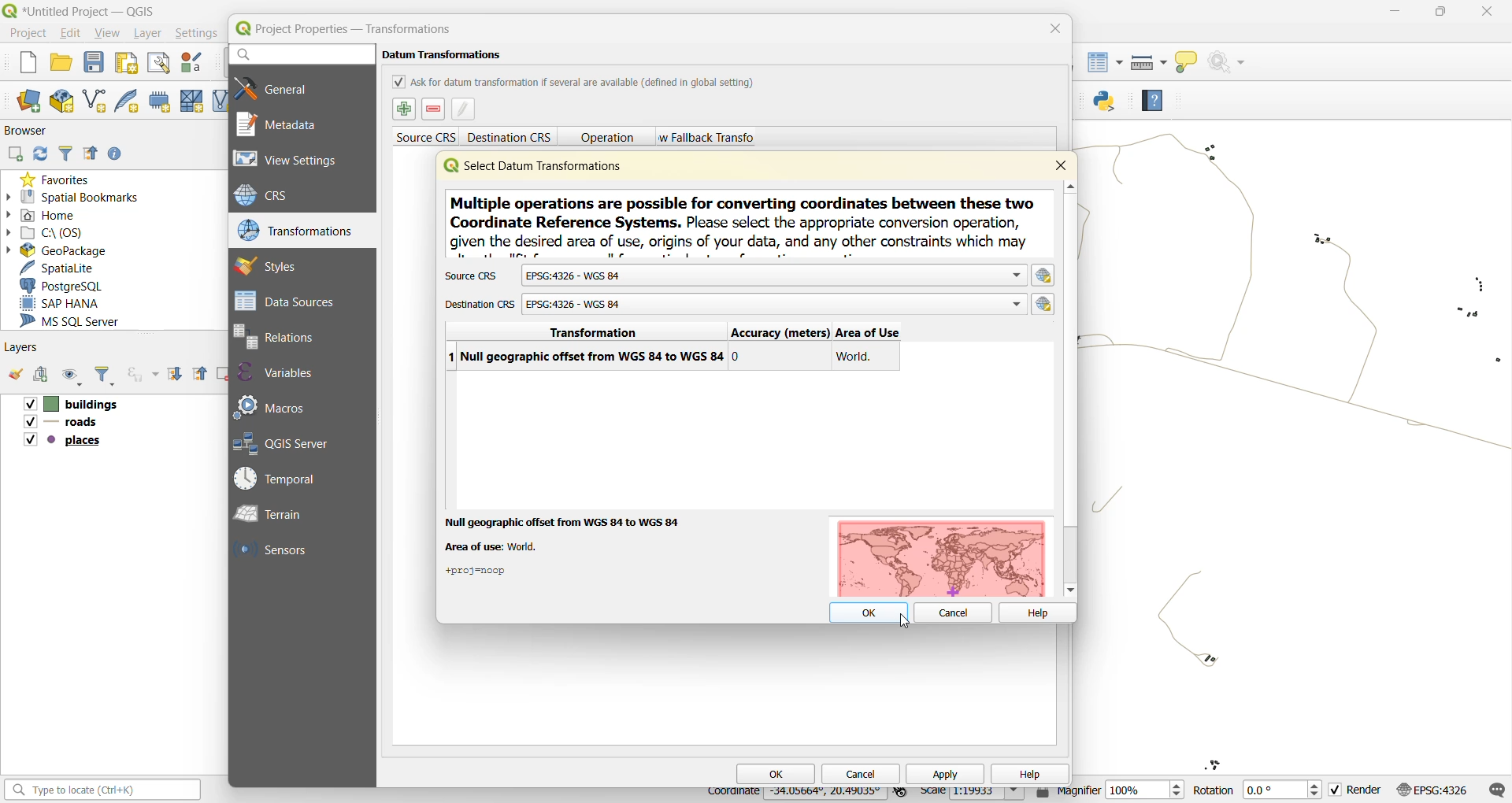  Describe the element at coordinates (282, 479) in the screenshot. I see `temporal` at that location.